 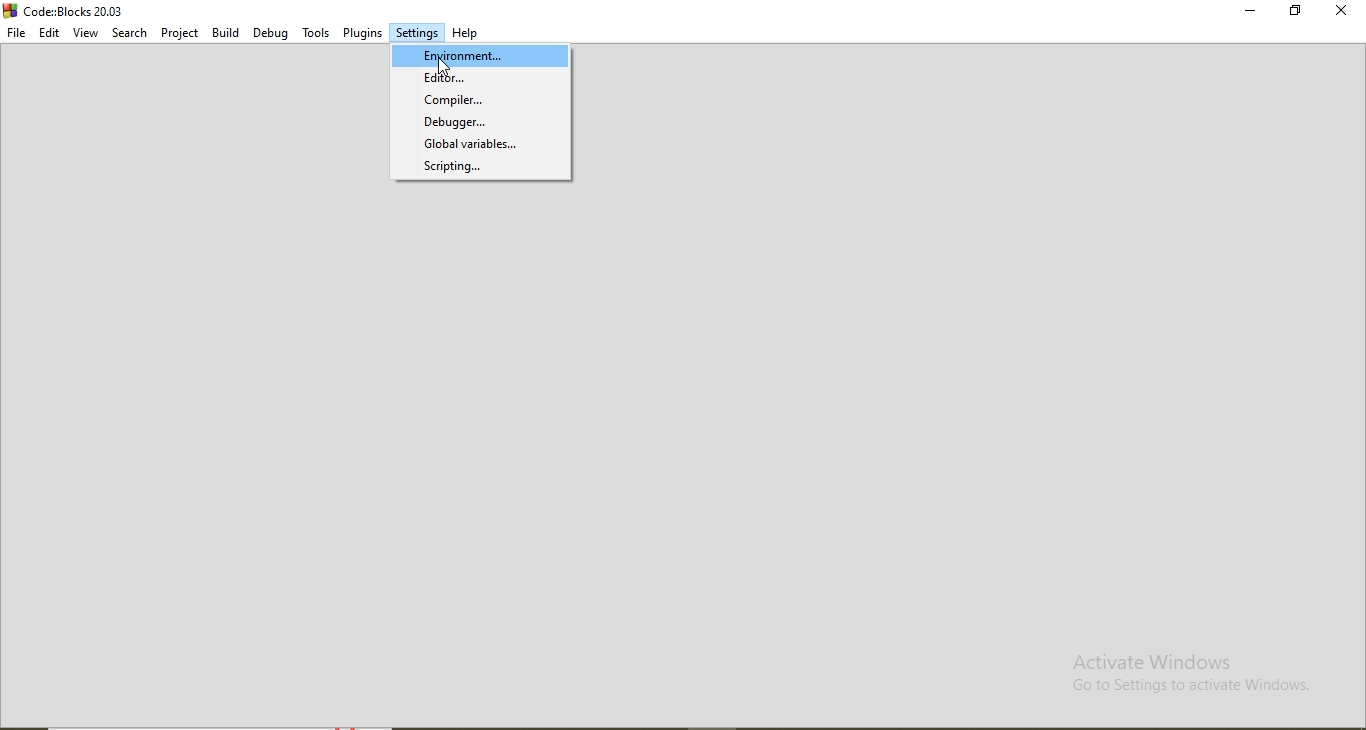 I want to click on cursor on Environment, so click(x=443, y=68).